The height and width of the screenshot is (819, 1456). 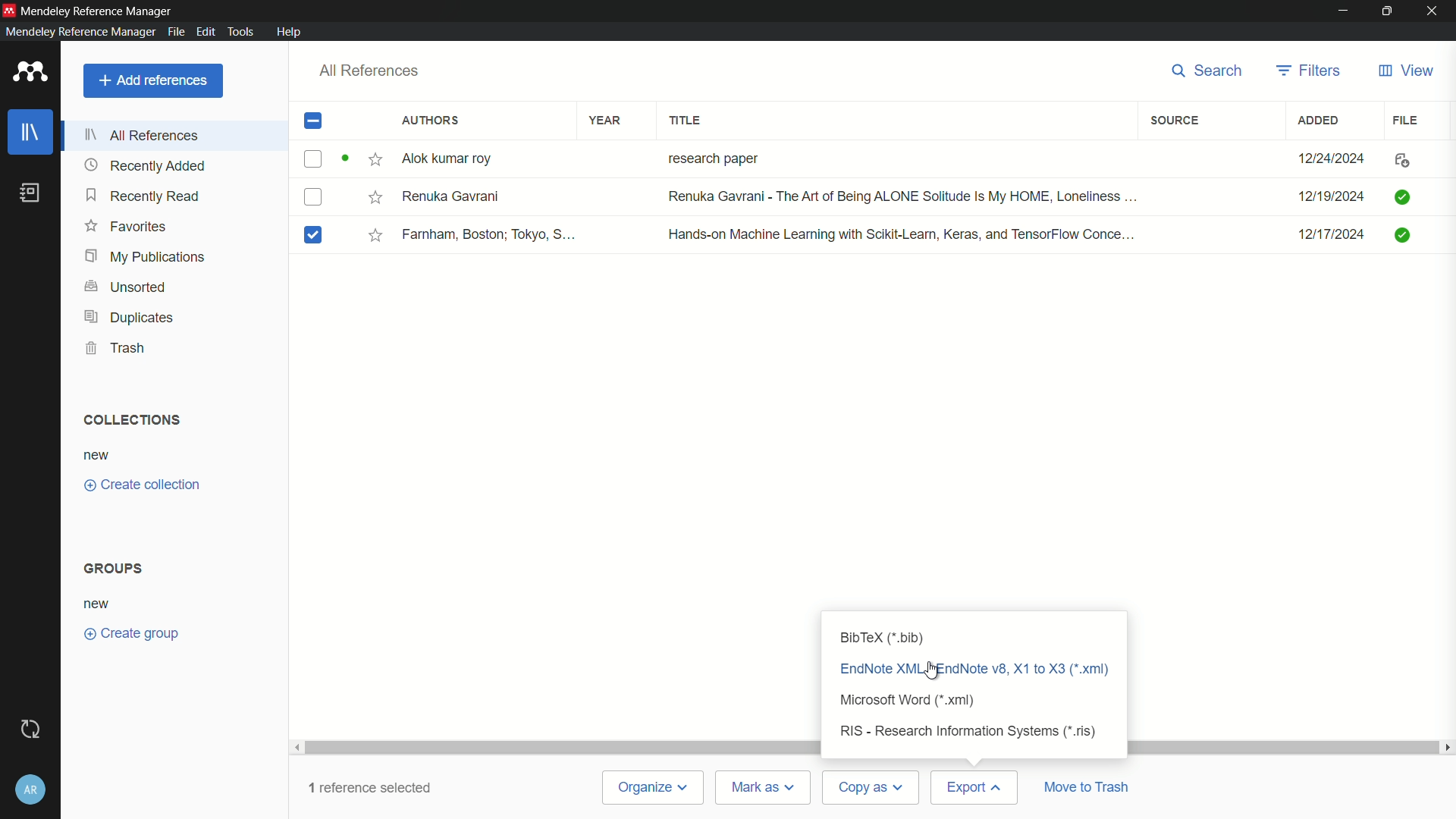 I want to click on sync, so click(x=31, y=730).